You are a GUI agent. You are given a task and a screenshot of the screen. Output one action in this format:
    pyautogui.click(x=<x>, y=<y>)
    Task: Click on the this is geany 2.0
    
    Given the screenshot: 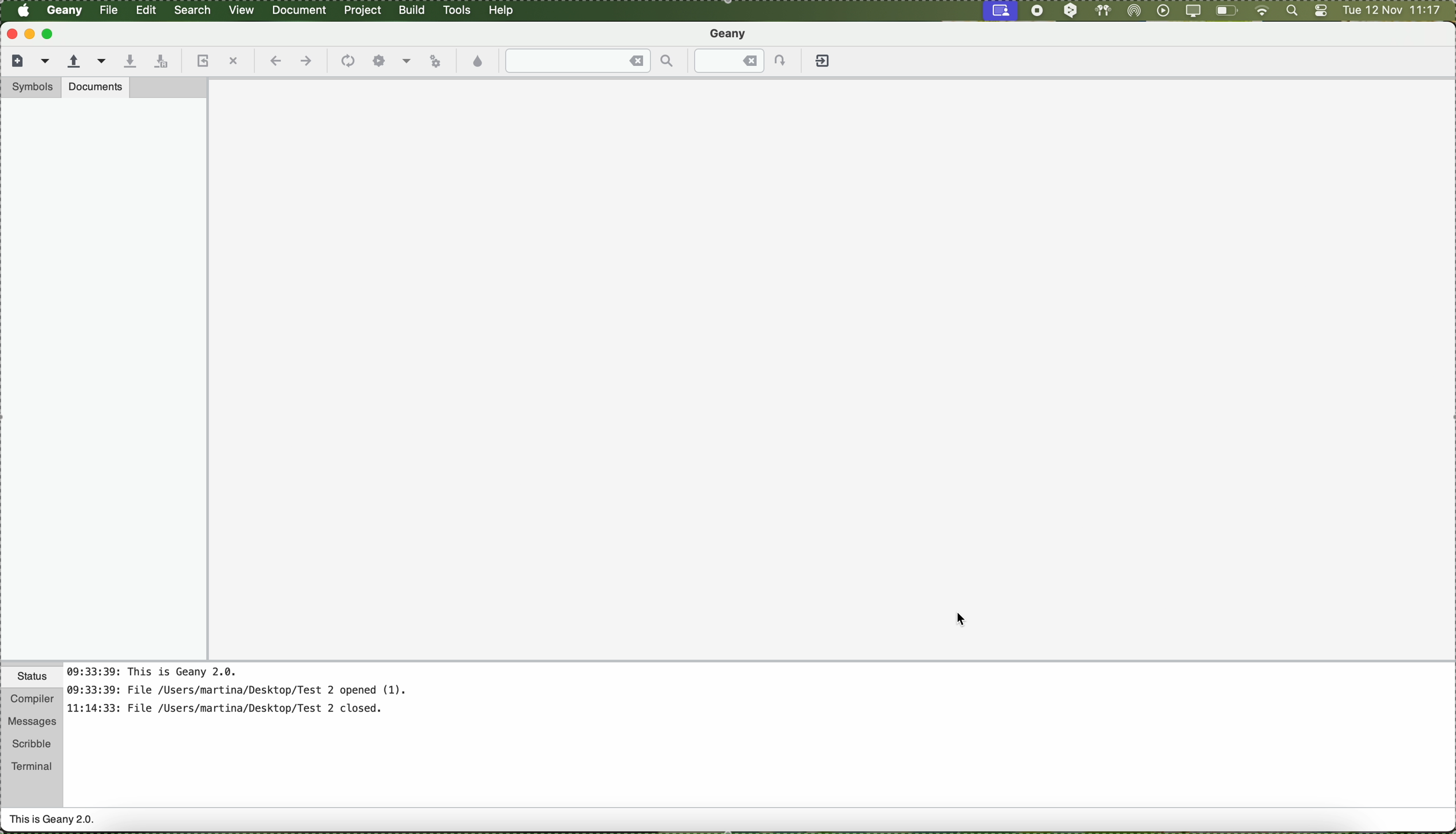 What is the action you would take?
    pyautogui.click(x=53, y=821)
    